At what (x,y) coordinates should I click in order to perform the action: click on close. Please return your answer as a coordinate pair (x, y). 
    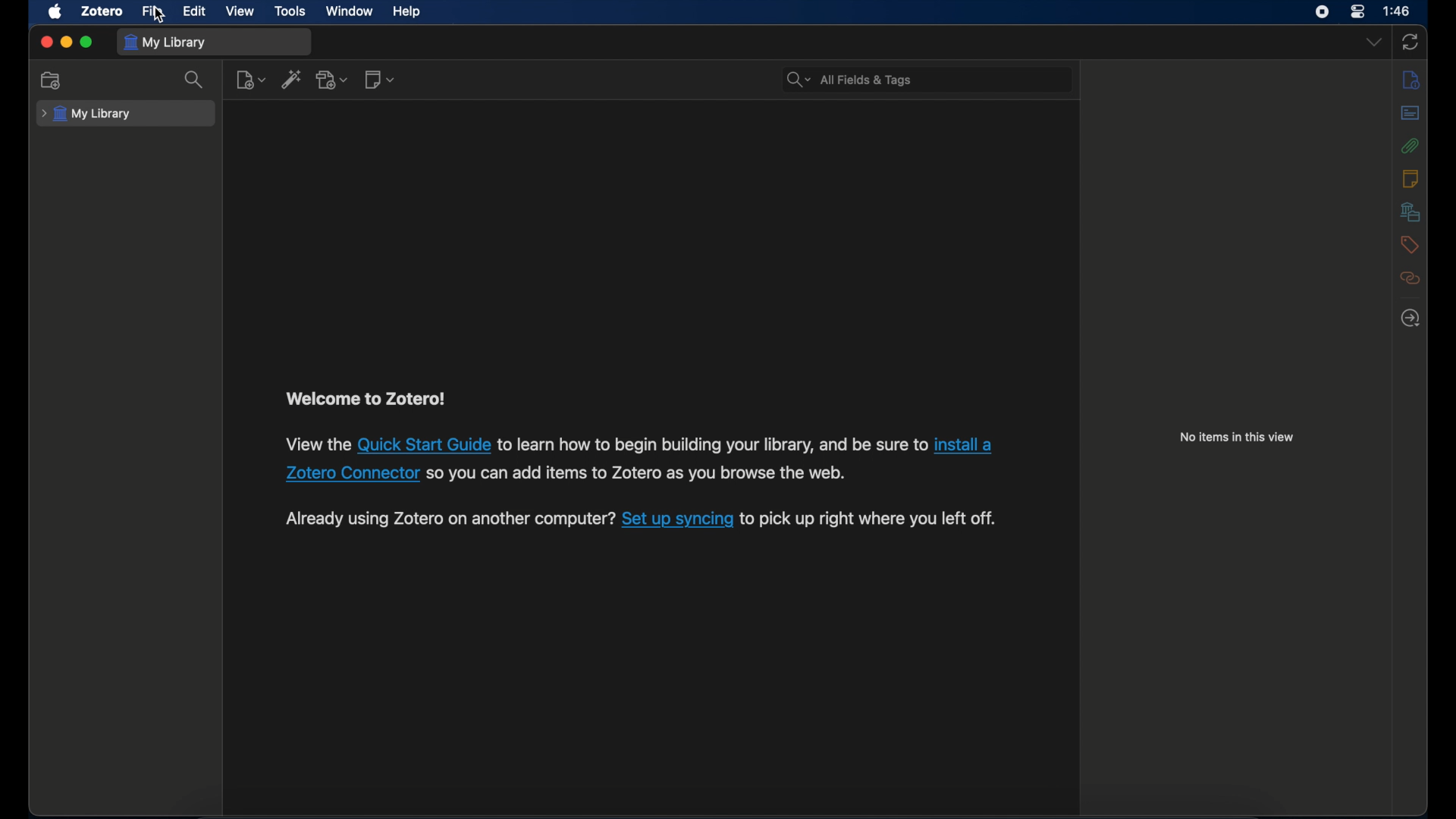
    Looking at the image, I should click on (45, 42).